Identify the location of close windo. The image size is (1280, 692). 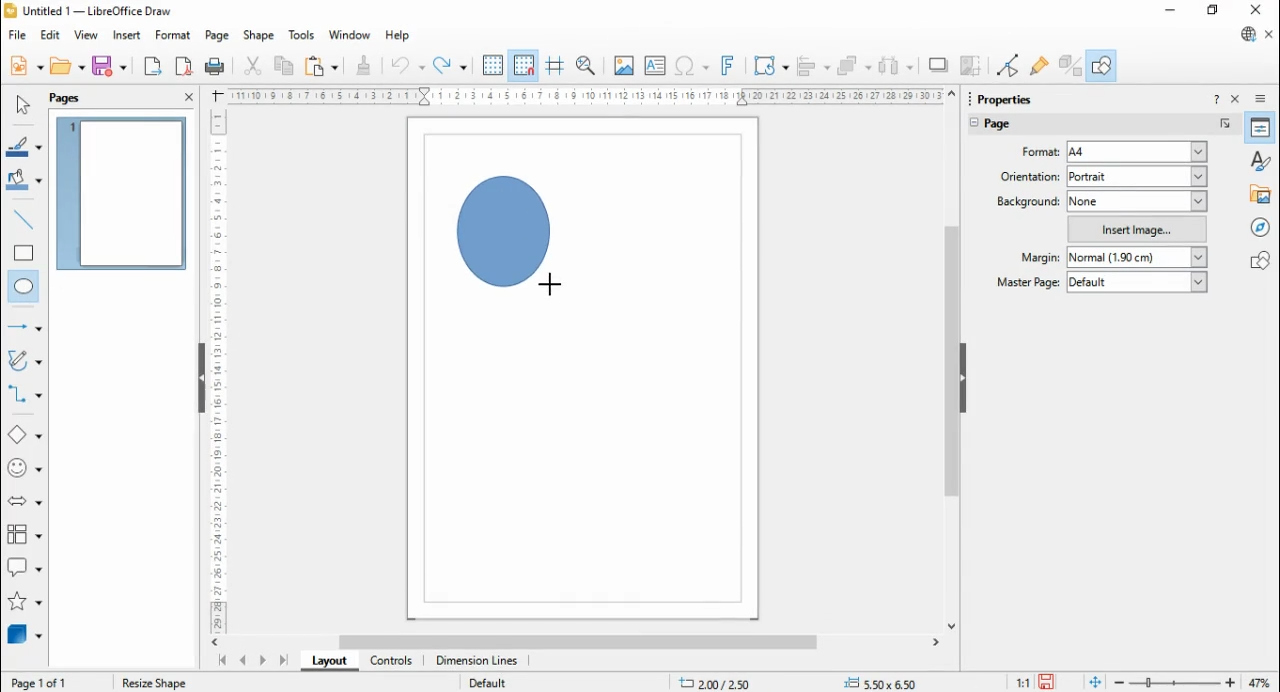
(1259, 11).